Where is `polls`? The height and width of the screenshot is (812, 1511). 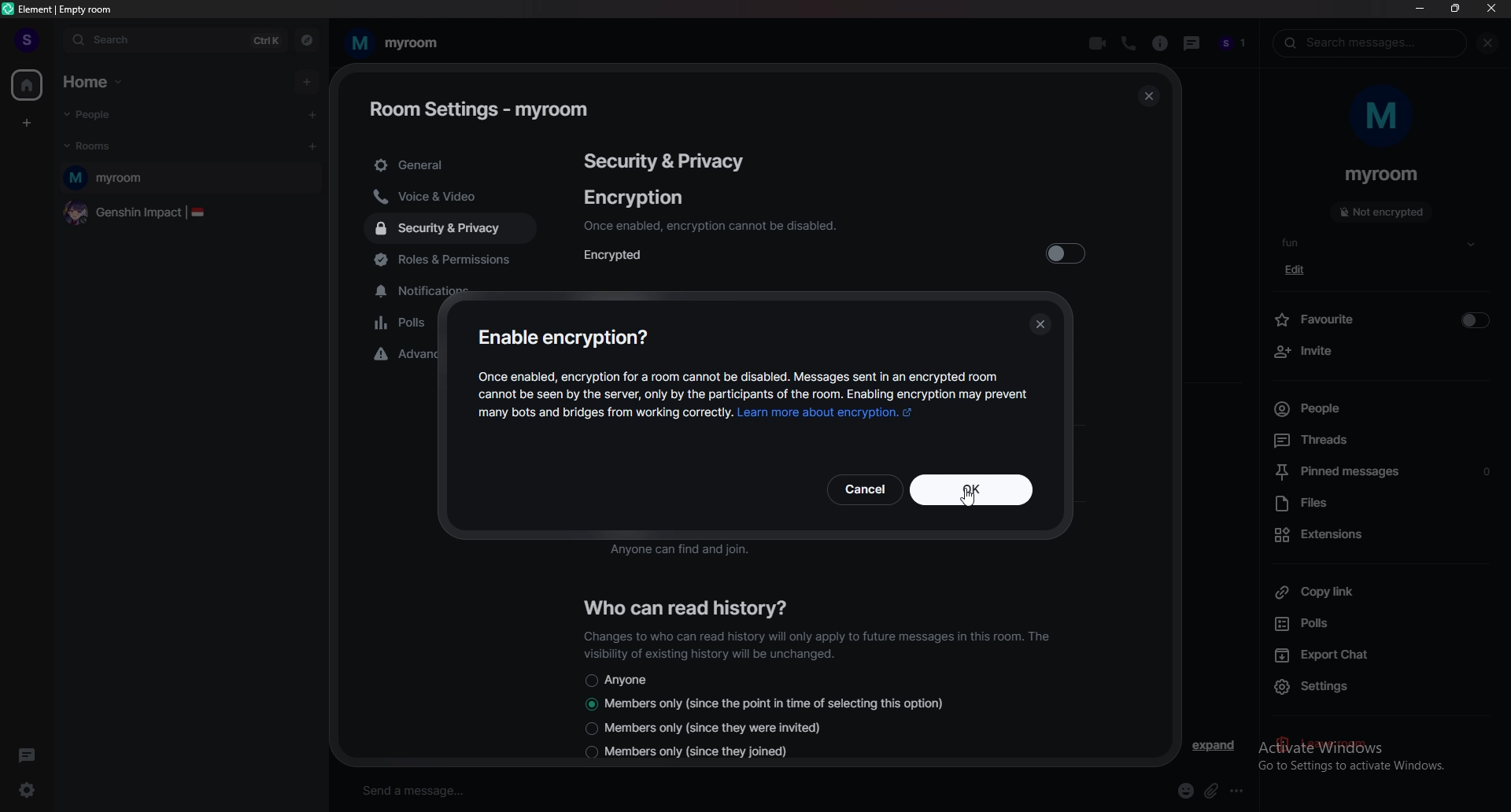 polls is located at coordinates (406, 325).